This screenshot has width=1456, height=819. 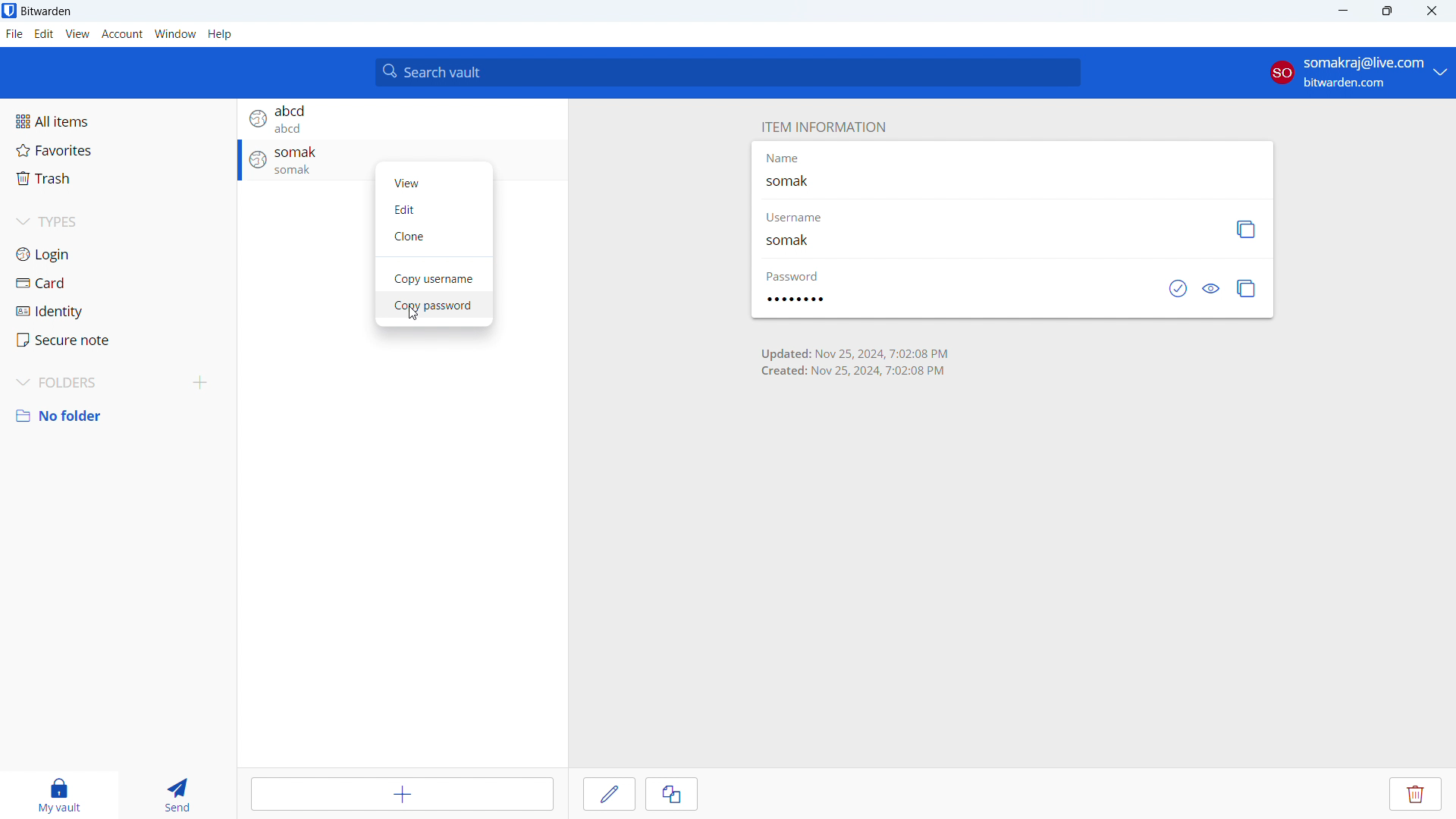 What do you see at coordinates (118, 309) in the screenshot?
I see `identity` at bounding box center [118, 309].